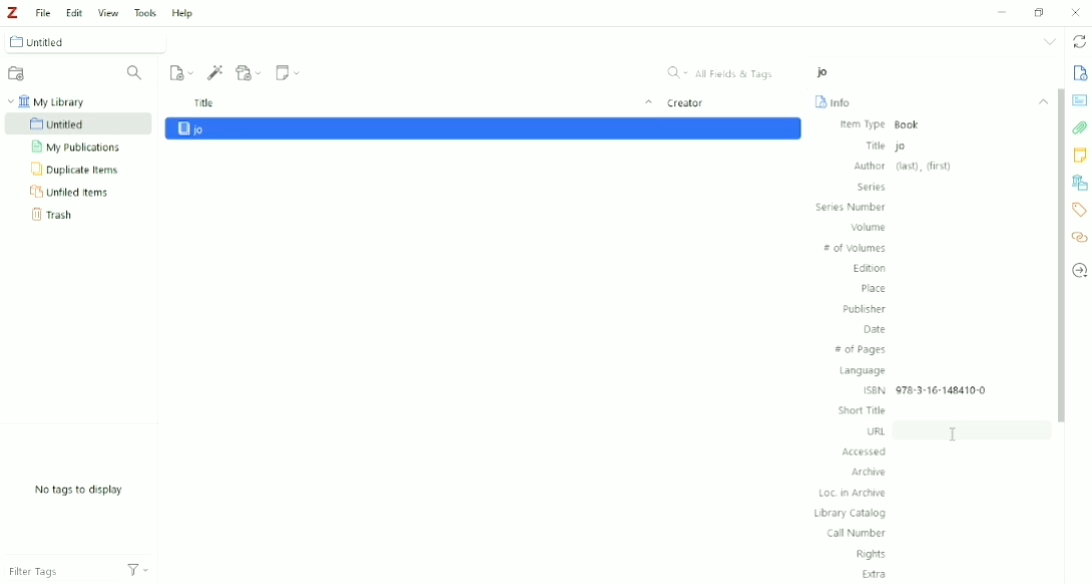 The width and height of the screenshot is (1092, 584). I want to click on Extra, so click(875, 574).